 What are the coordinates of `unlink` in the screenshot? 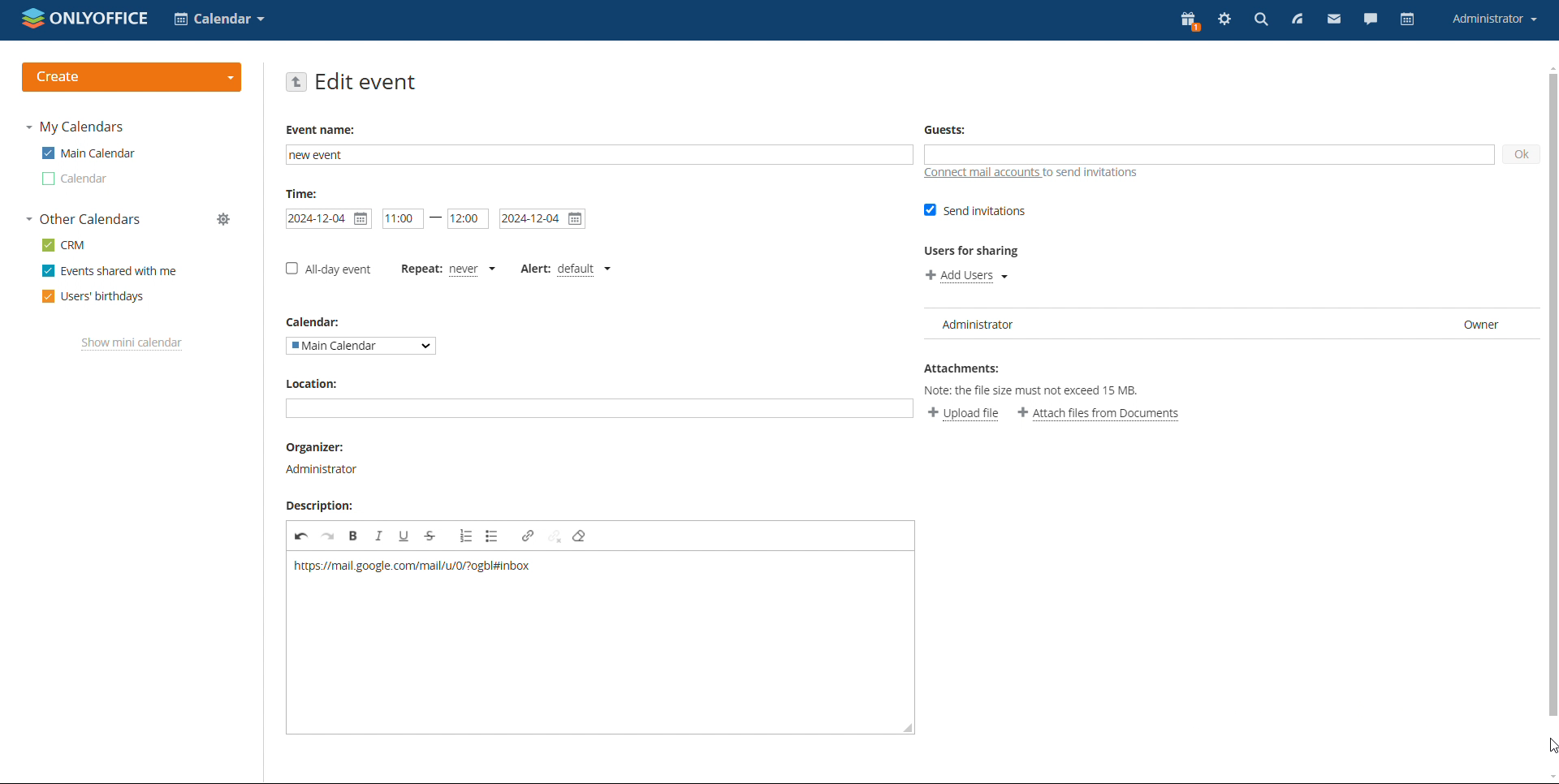 It's located at (554, 536).